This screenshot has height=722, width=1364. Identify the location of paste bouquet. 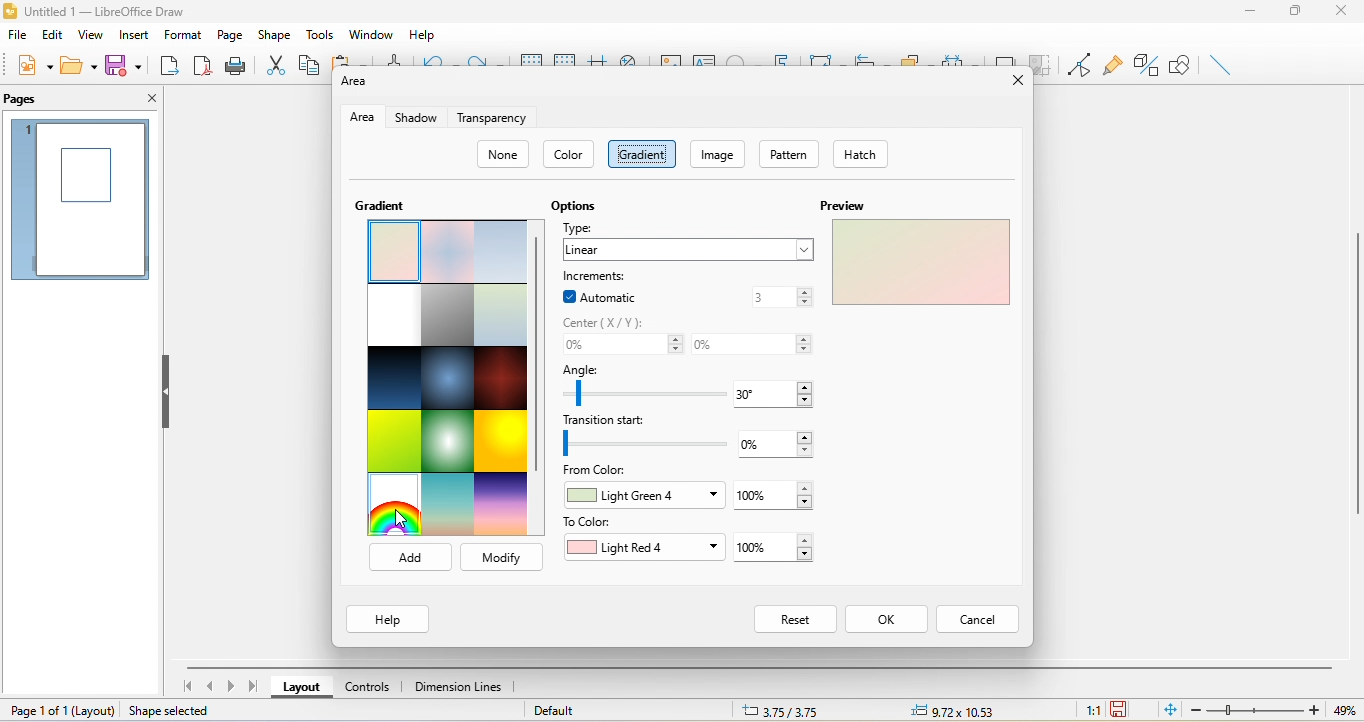
(389, 252).